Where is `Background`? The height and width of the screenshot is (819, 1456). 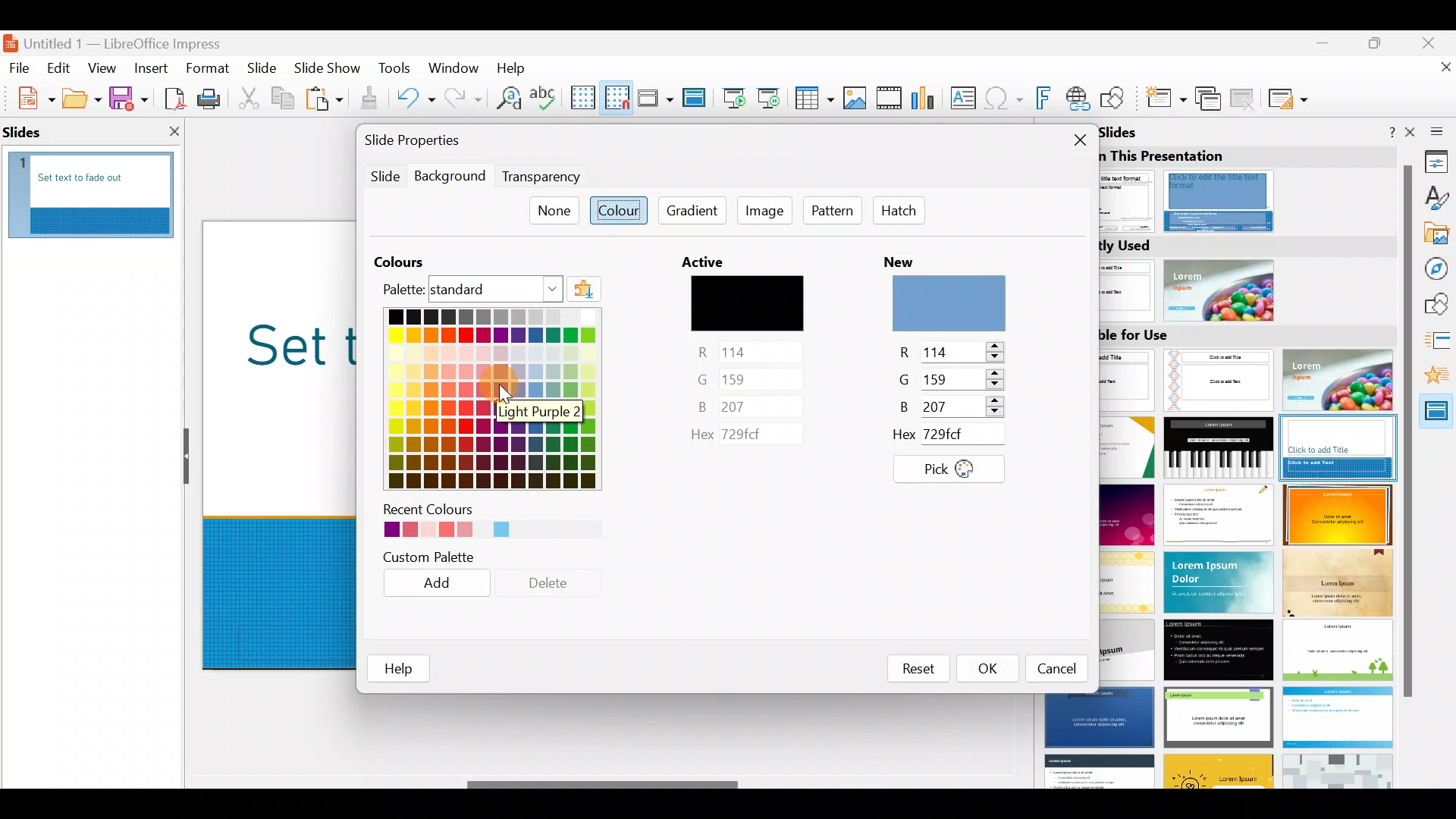 Background is located at coordinates (451, 177).